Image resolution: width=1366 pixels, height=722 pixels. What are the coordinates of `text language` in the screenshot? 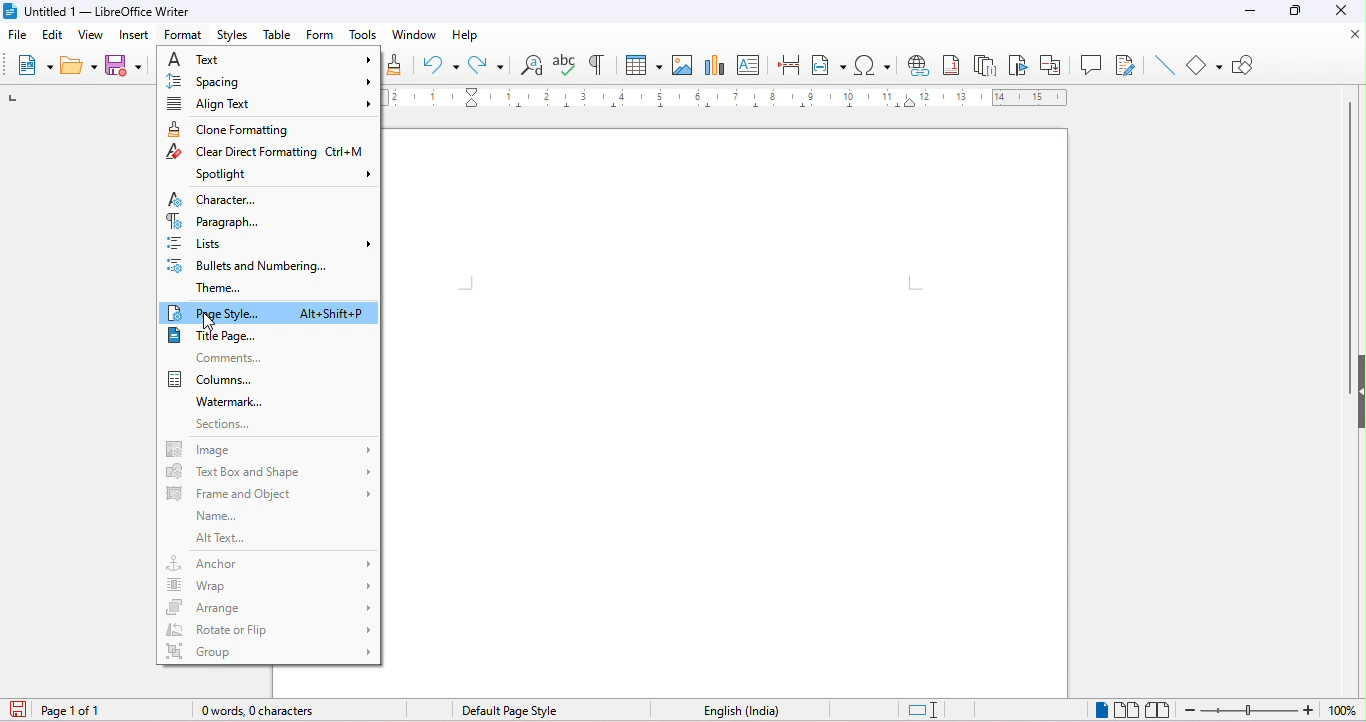 It's located at (741, 712).